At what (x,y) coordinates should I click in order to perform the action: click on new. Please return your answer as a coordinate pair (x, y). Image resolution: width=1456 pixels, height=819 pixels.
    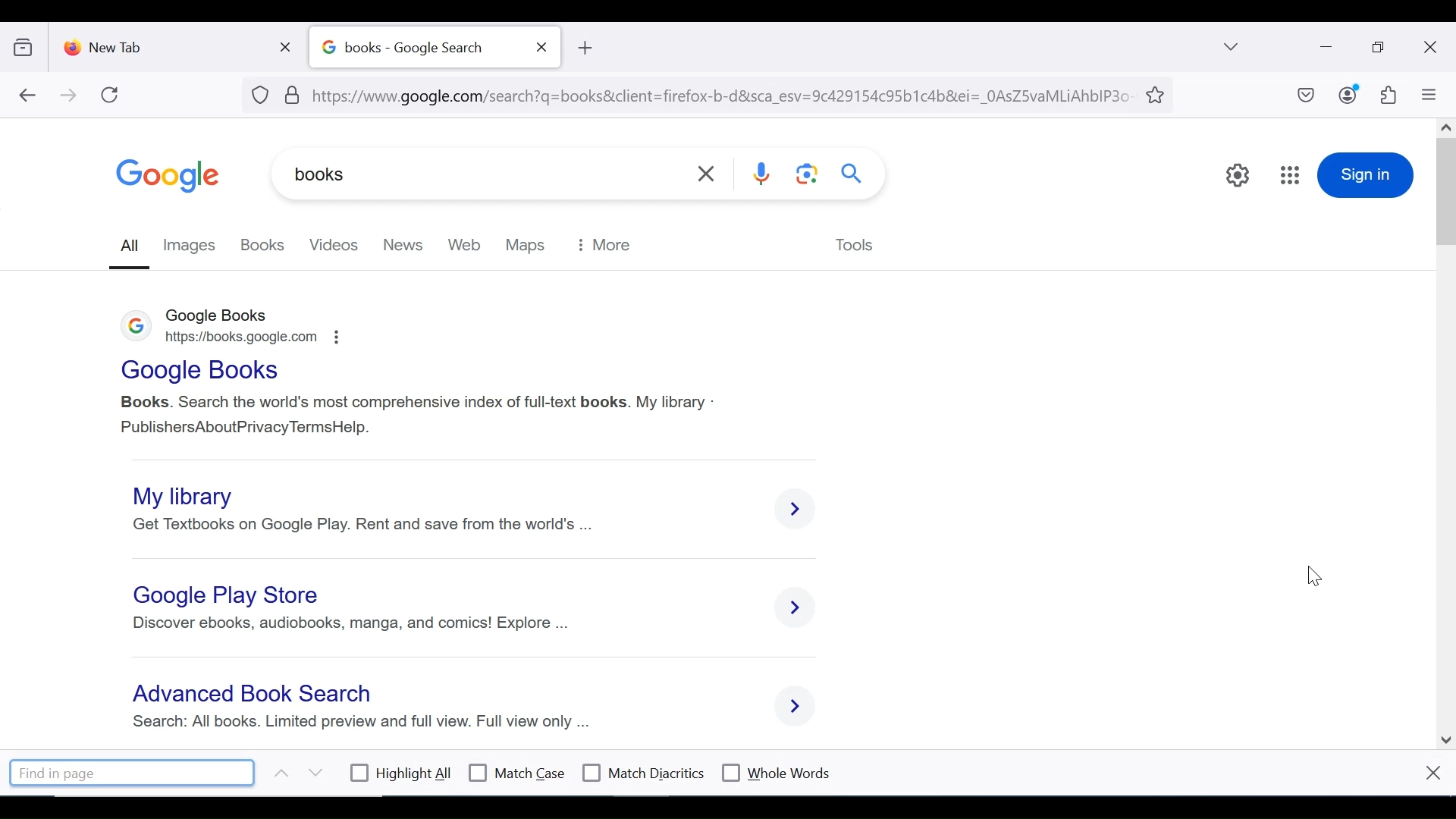
    Looking at the image, I should click on (402, 243).